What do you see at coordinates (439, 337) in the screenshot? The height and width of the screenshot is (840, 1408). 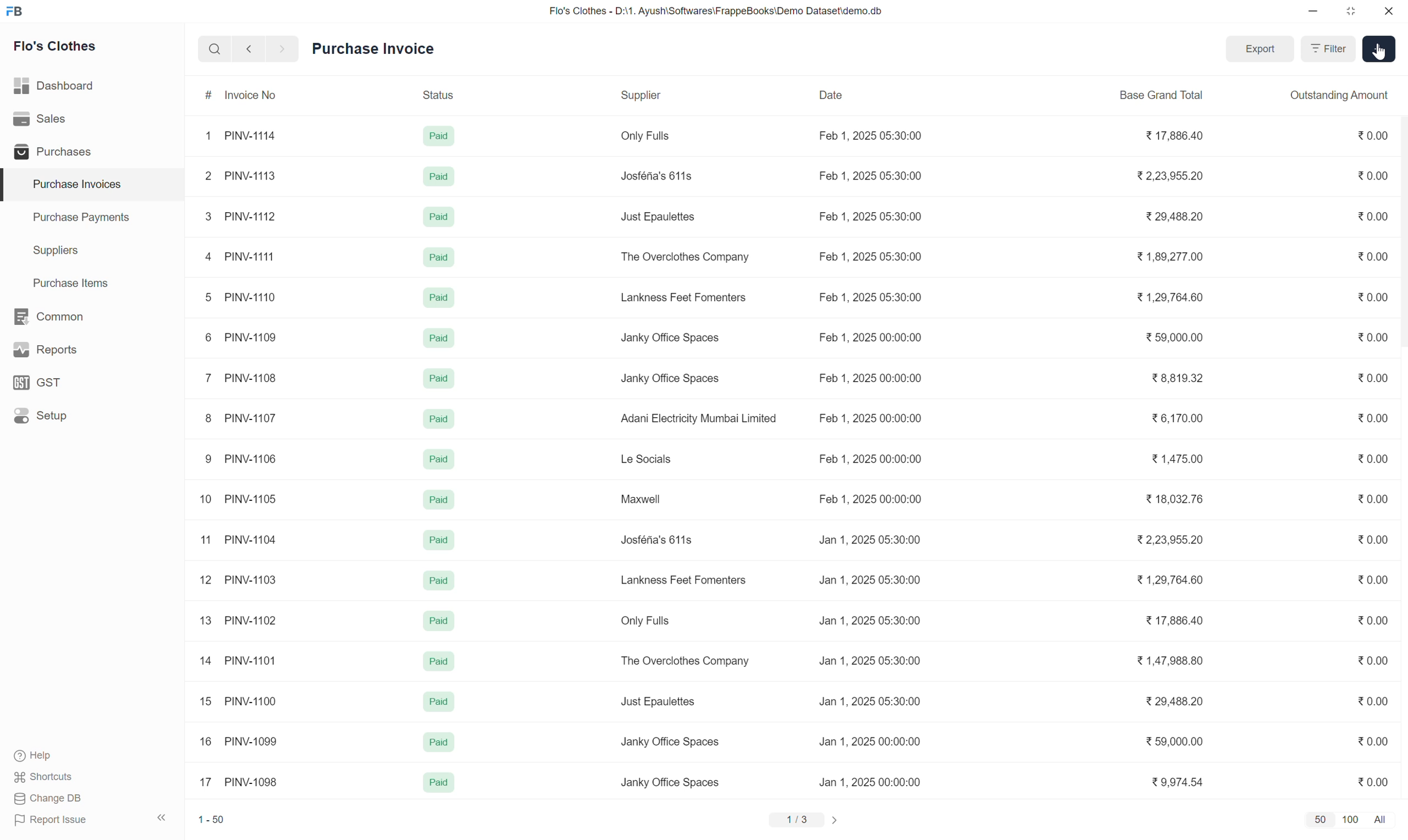 I see `Paid` at bounding box center [439, 337].